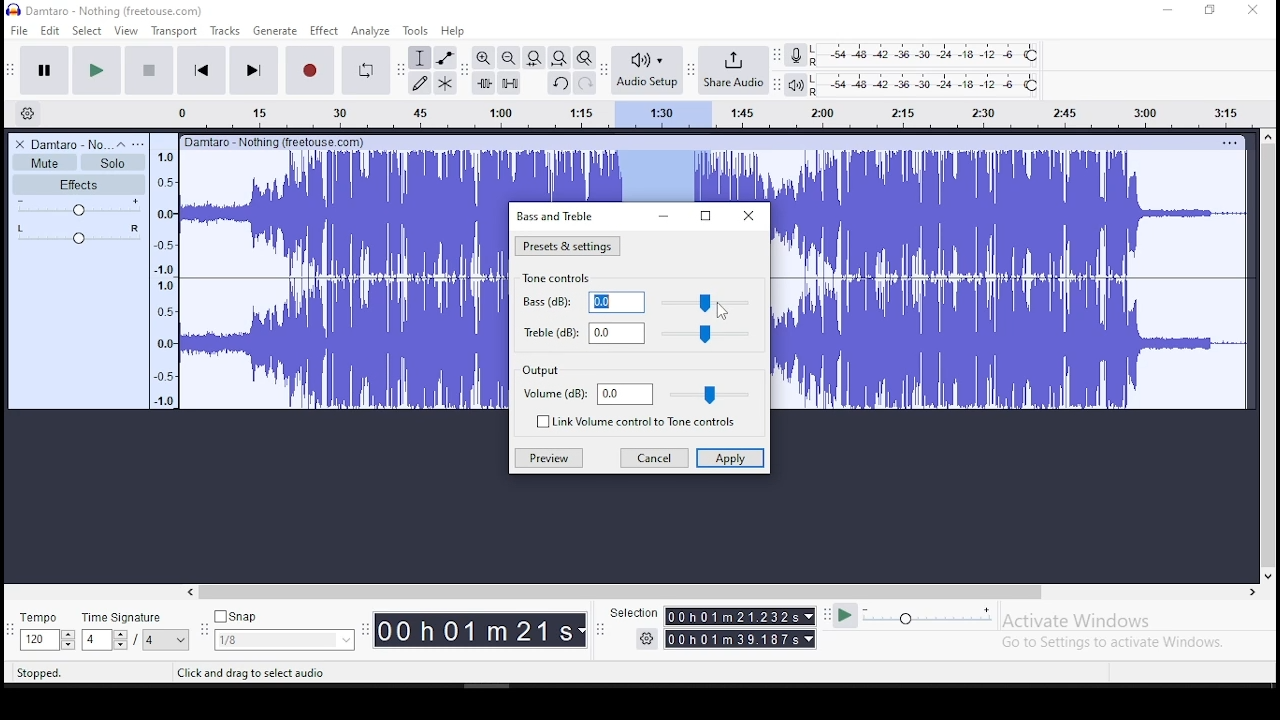  Describe the element at coordinates (646, 68) in the screenshot. I see `audio setup` at that location.